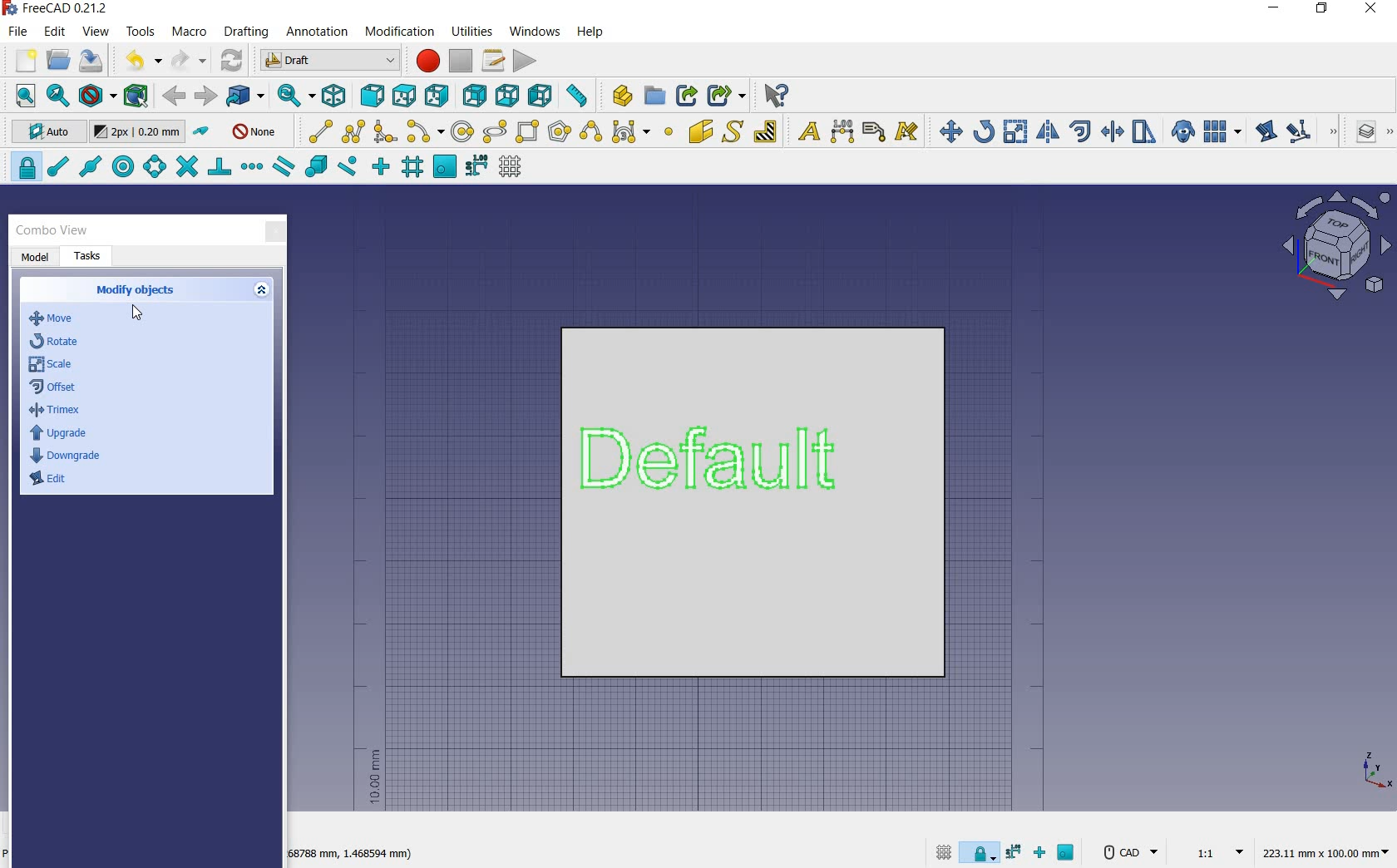 The height and width of the screenshot is (868, 1397). I want to click on arc tools, so click(425, 132).